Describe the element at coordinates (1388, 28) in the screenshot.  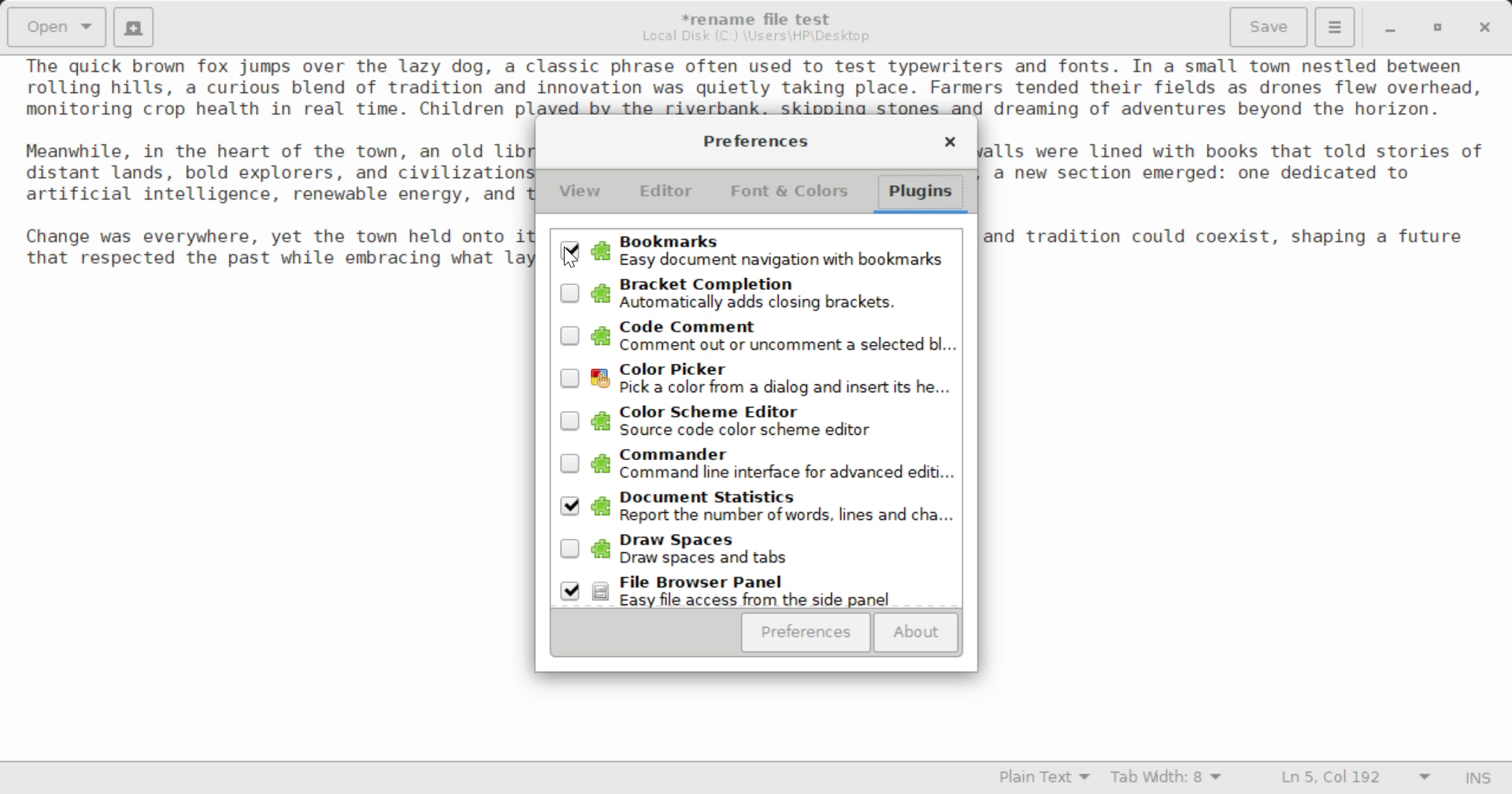
I see `Restore Down` at that location.